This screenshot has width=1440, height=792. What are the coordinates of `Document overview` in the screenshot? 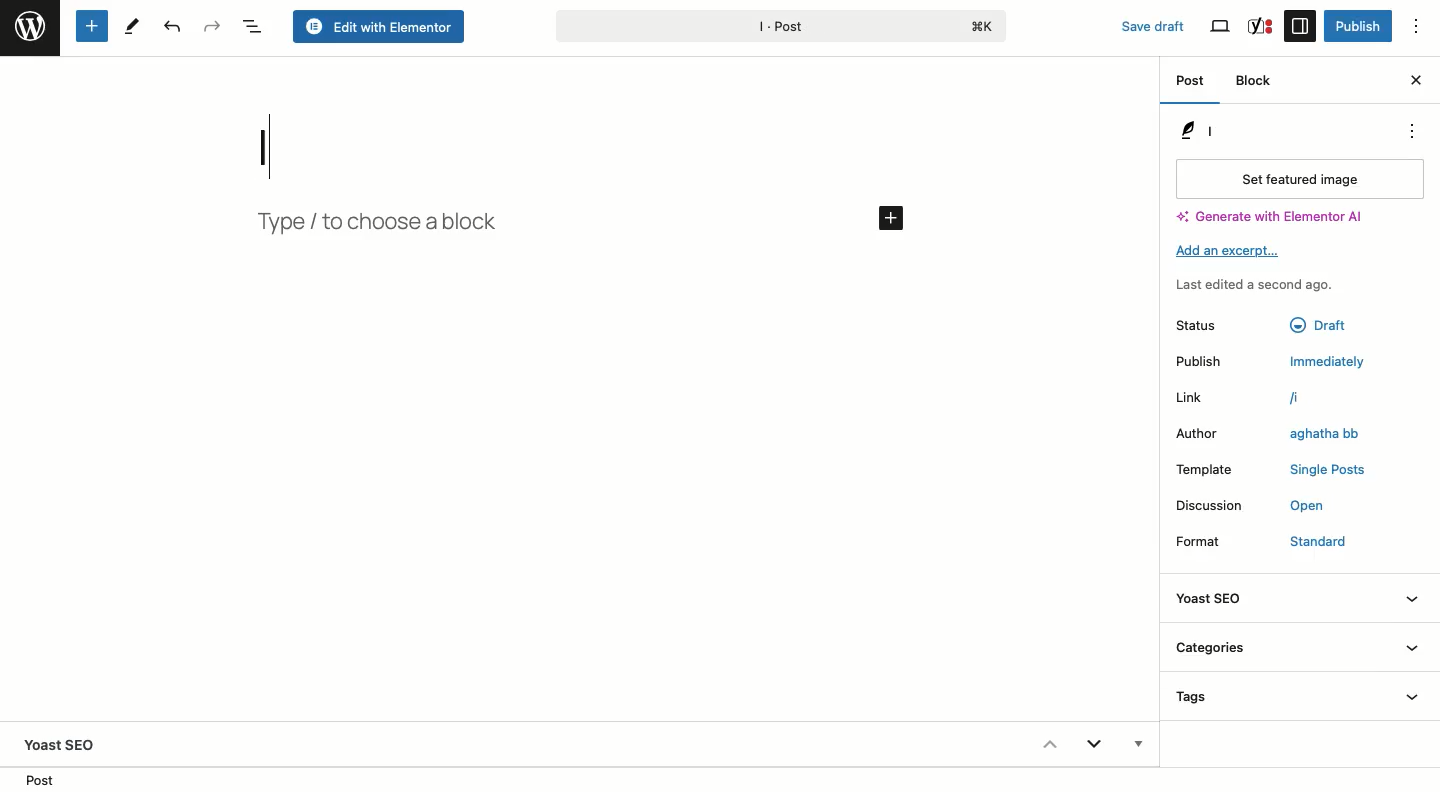 It's located at (253, 28).